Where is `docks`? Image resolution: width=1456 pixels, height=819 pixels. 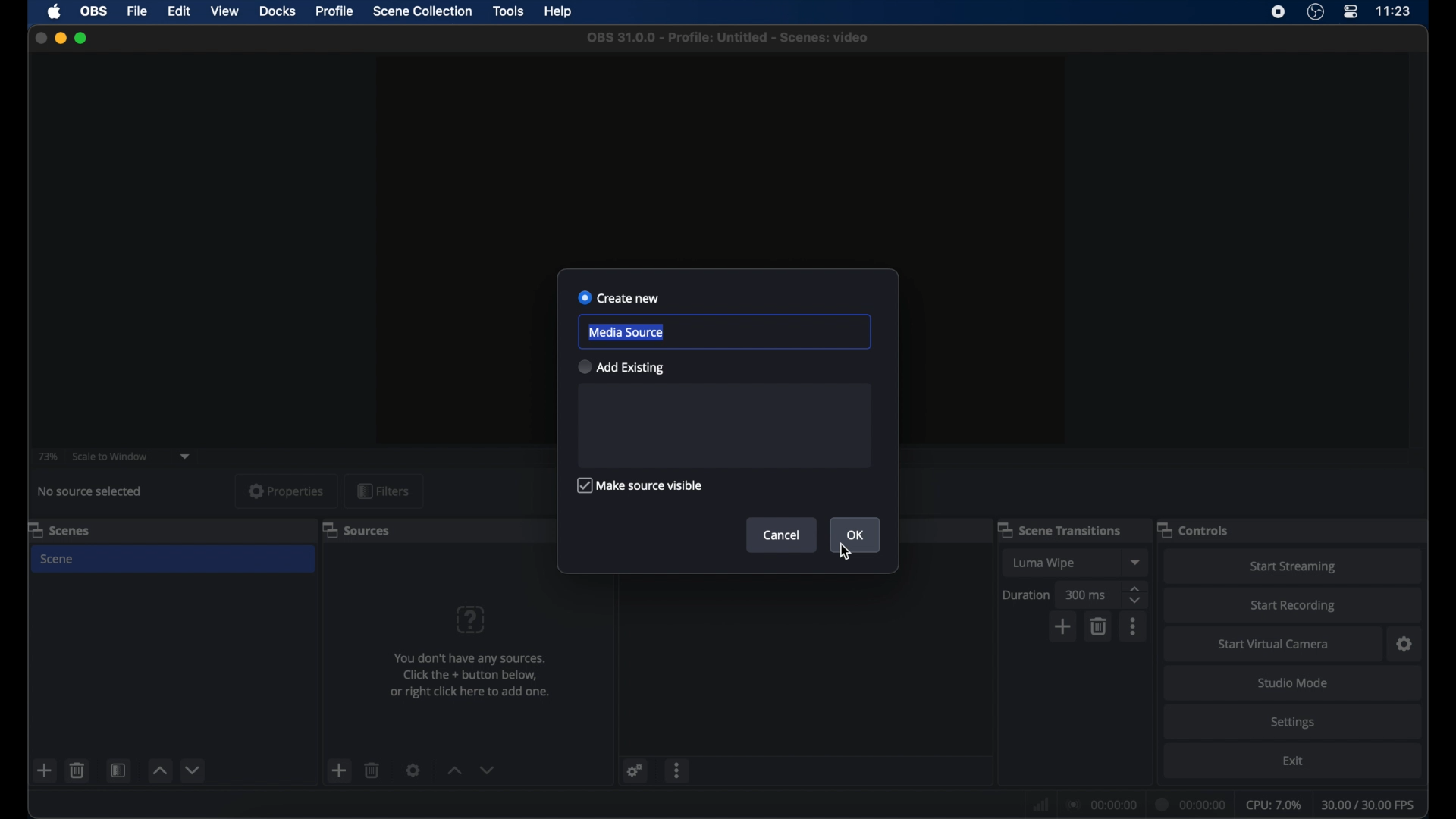 docks is located at coordinates (277, 11).